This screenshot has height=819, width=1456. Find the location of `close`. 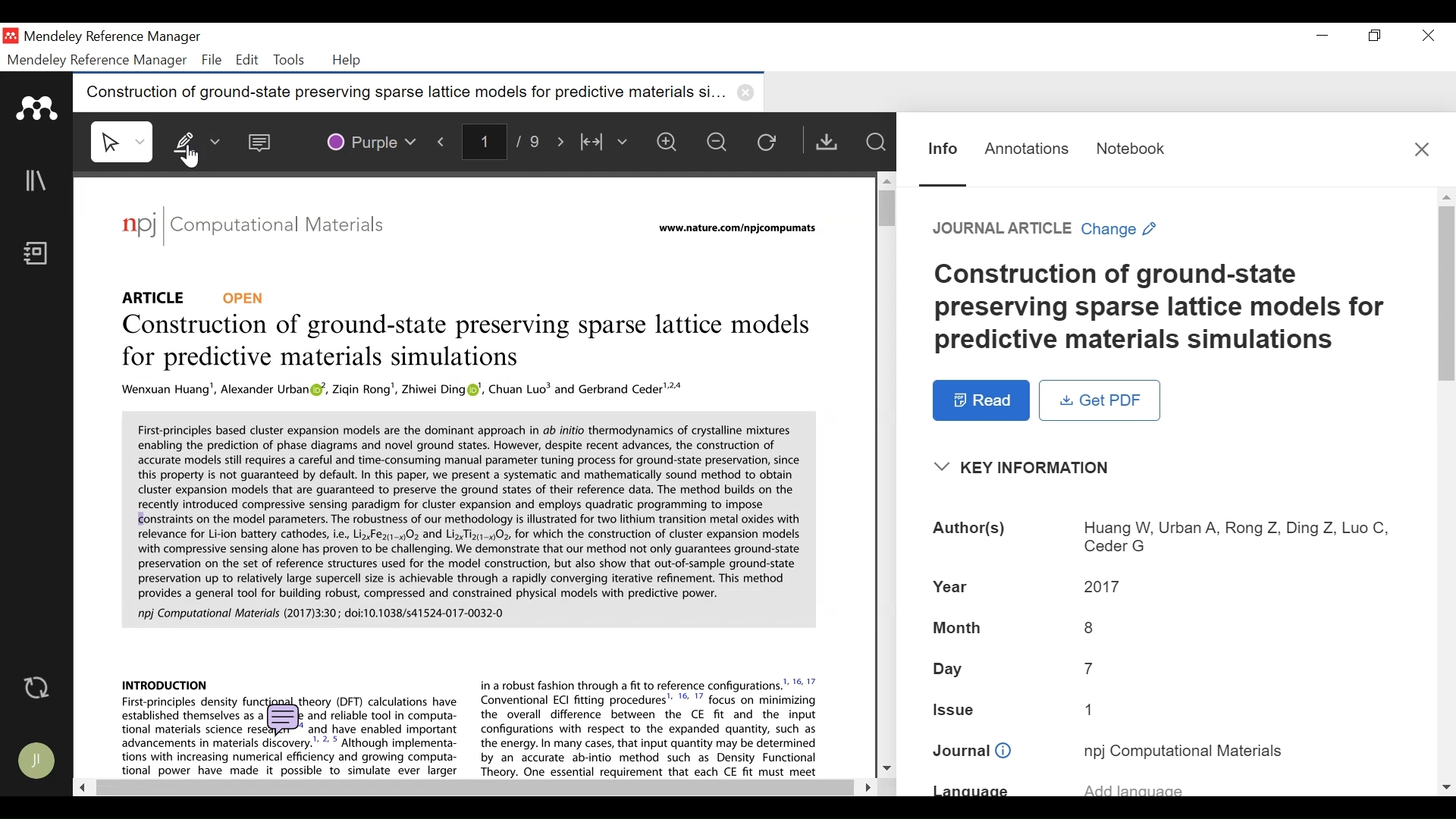

close is located at coordinates (748, 93).